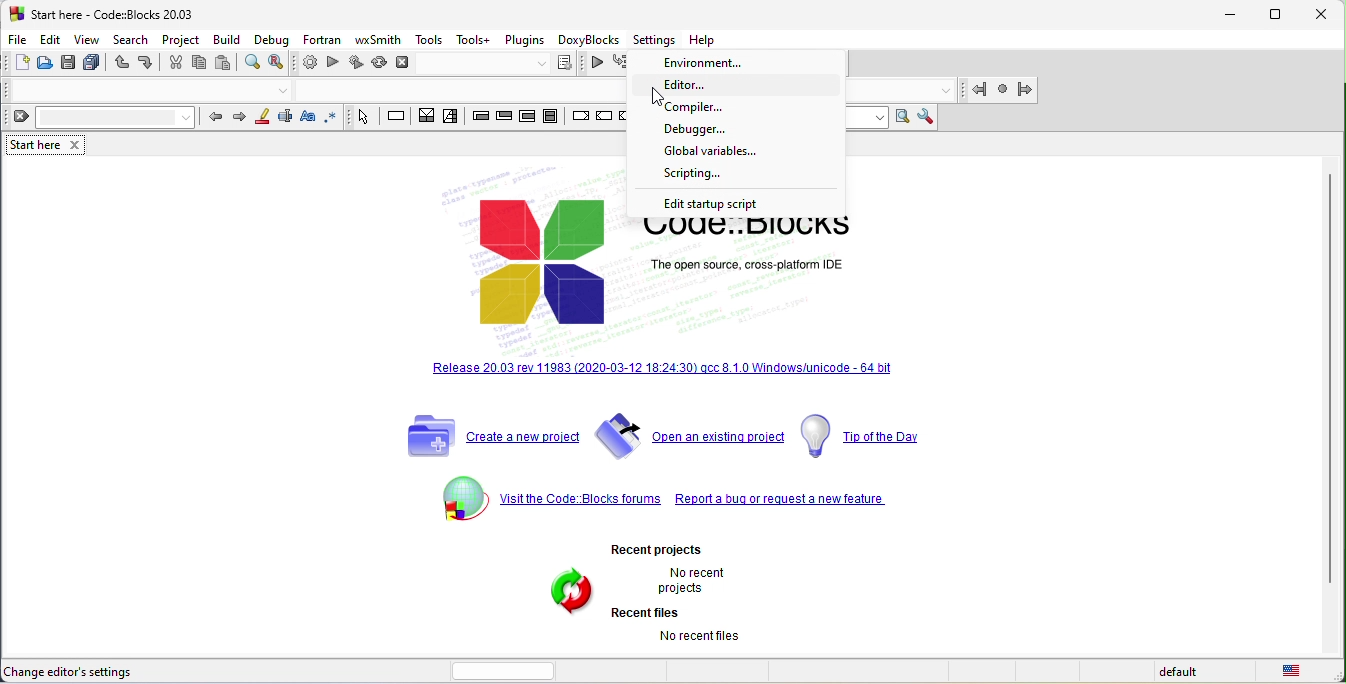 The image size is (1346, 684). Describe the element at coordinates (708, 39) in the screenshot. I see `help` at that location.